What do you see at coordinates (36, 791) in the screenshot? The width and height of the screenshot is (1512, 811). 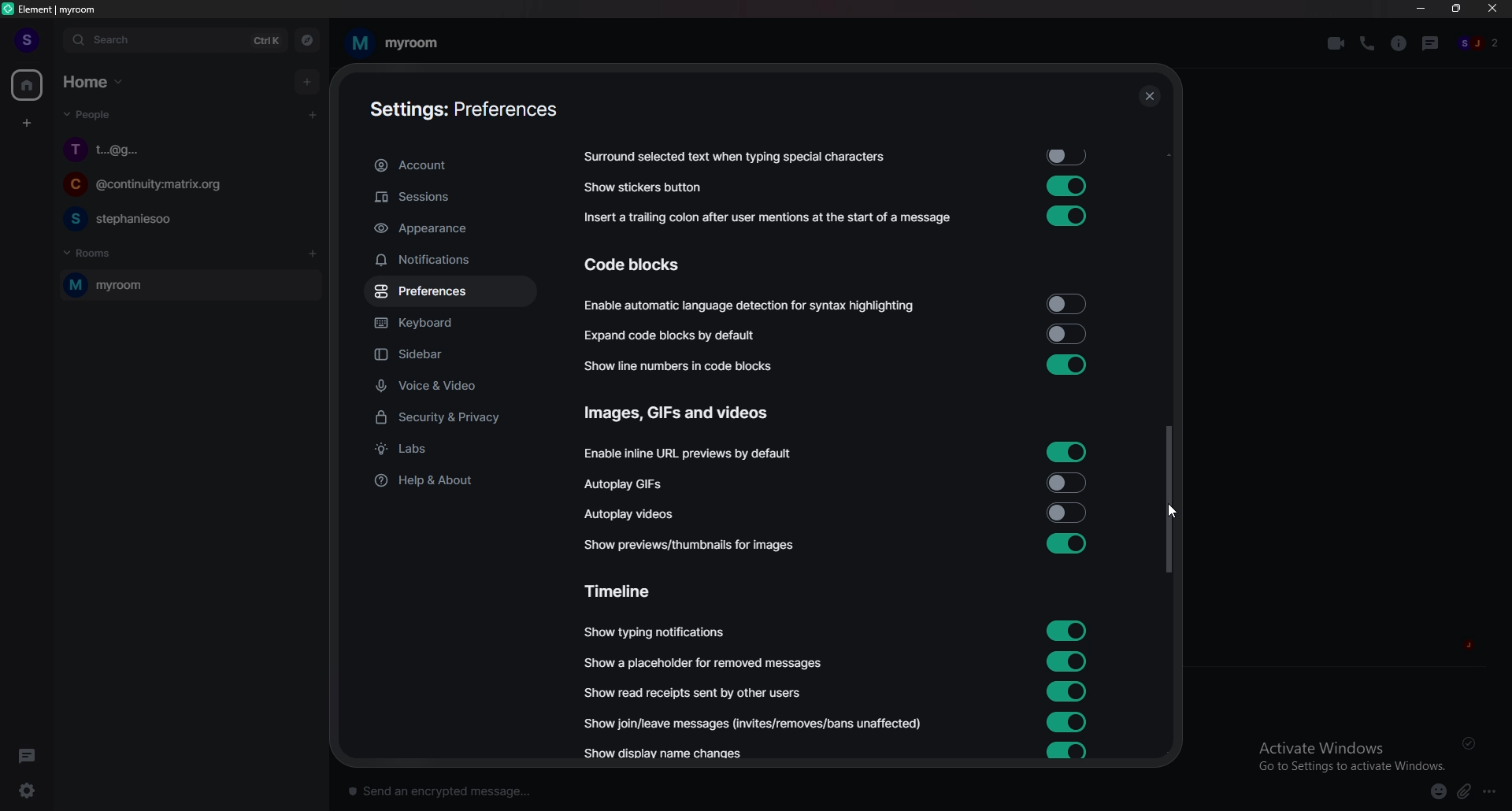 I see `settings` at bounding box center [36, 791].